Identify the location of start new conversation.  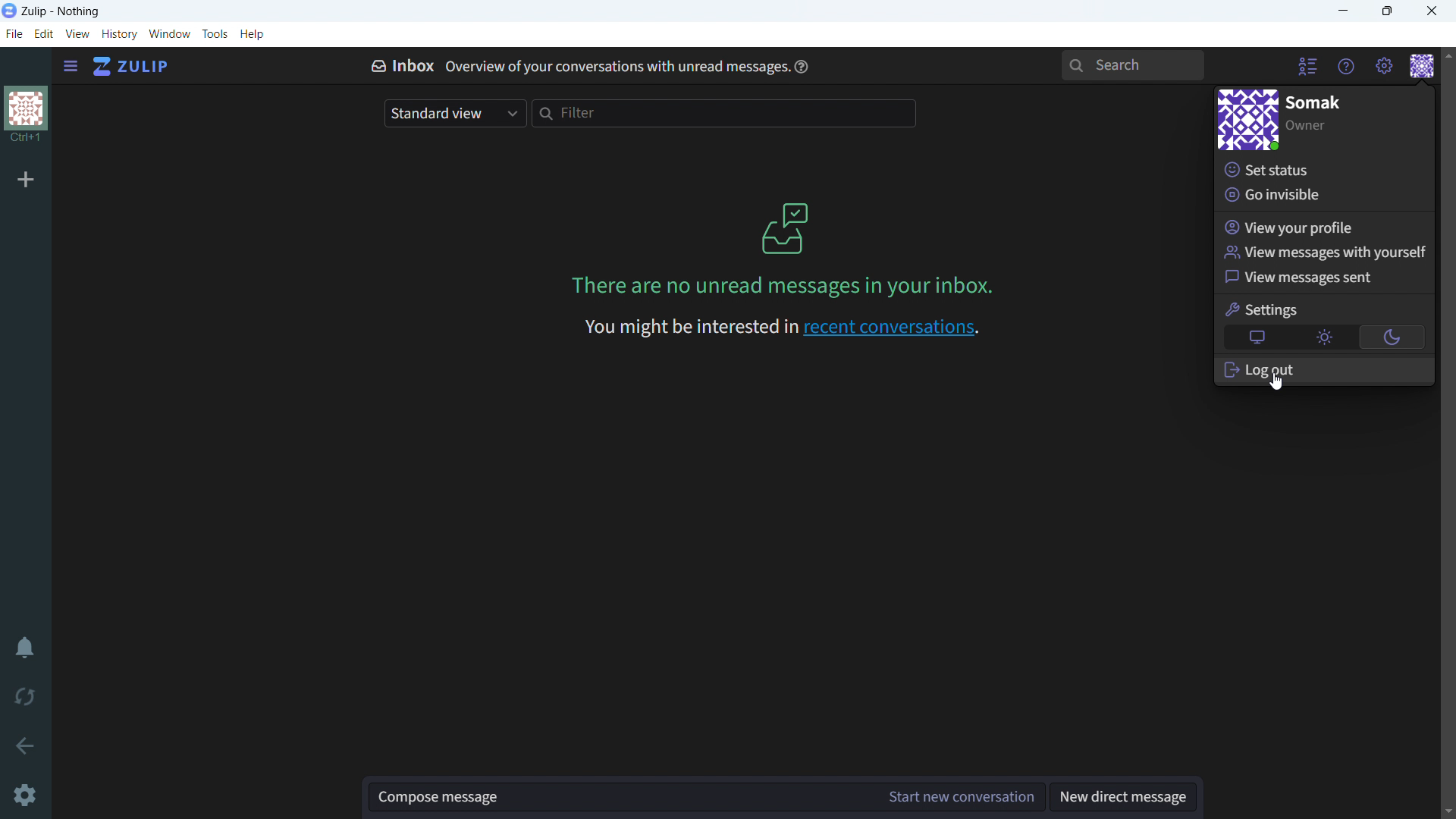
(963, 796).